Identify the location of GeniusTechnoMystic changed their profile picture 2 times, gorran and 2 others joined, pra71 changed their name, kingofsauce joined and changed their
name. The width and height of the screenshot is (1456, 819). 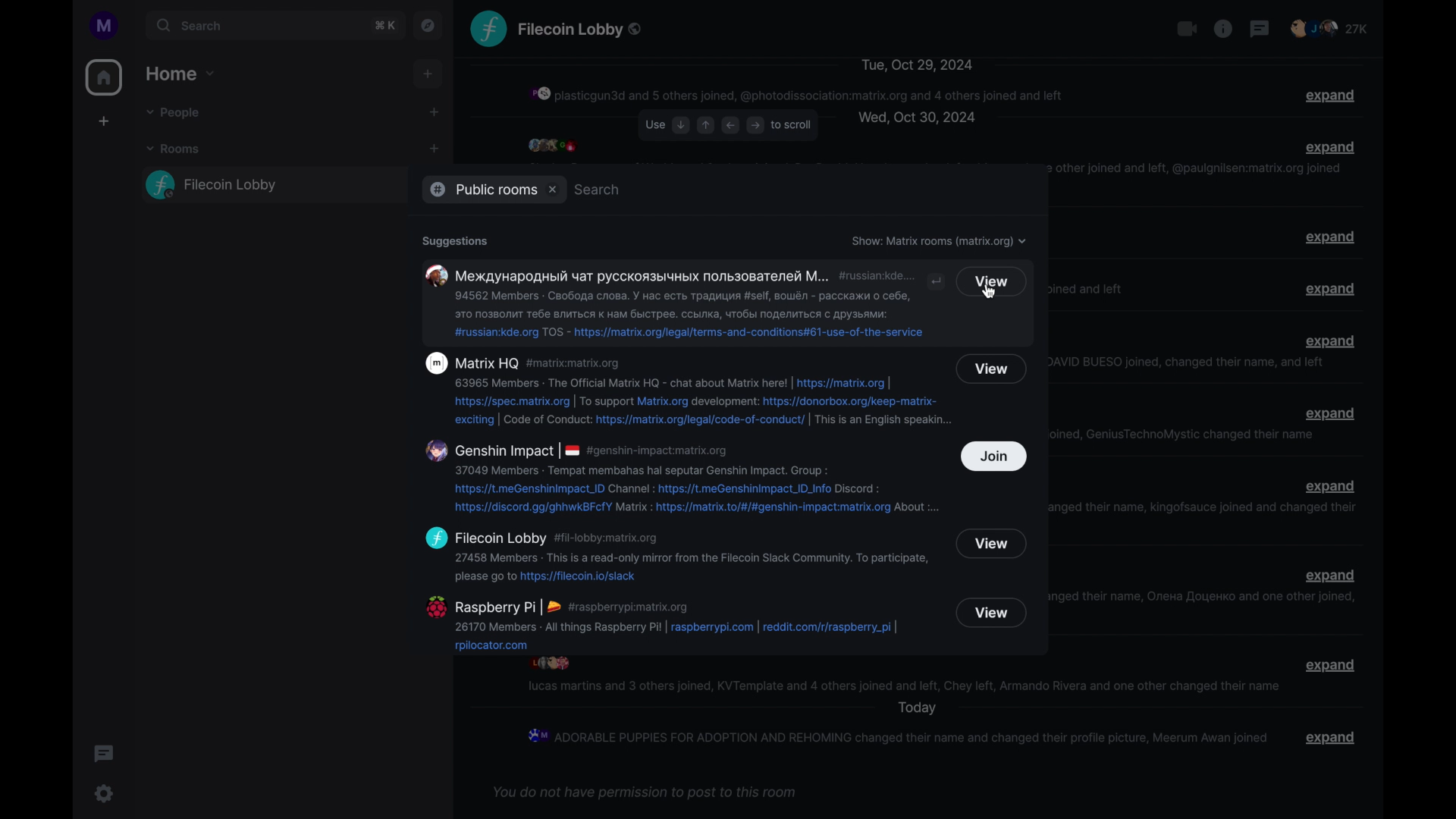
(1210, 511).